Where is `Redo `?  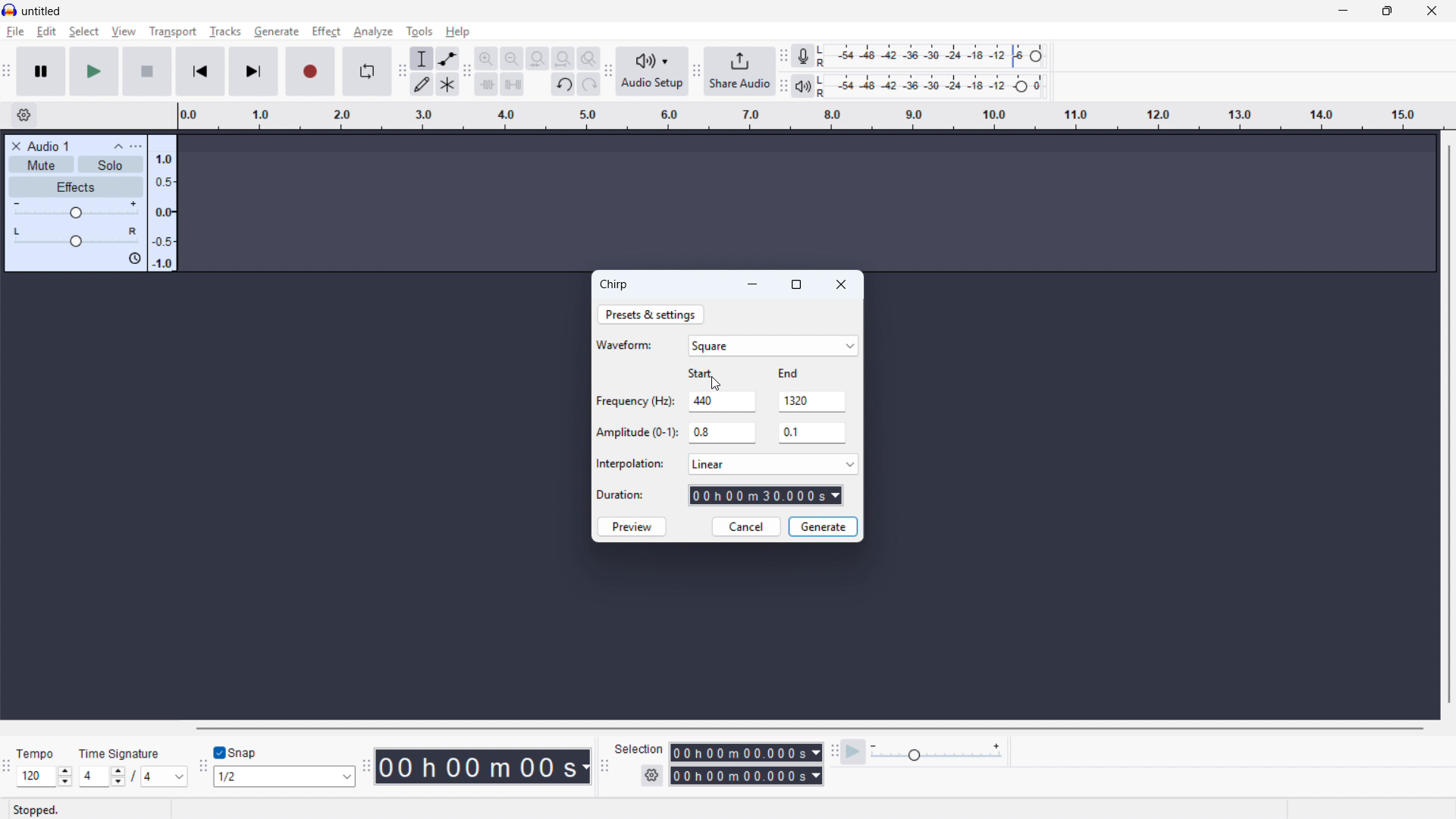 Redo  is located at coordinates (588, 85).